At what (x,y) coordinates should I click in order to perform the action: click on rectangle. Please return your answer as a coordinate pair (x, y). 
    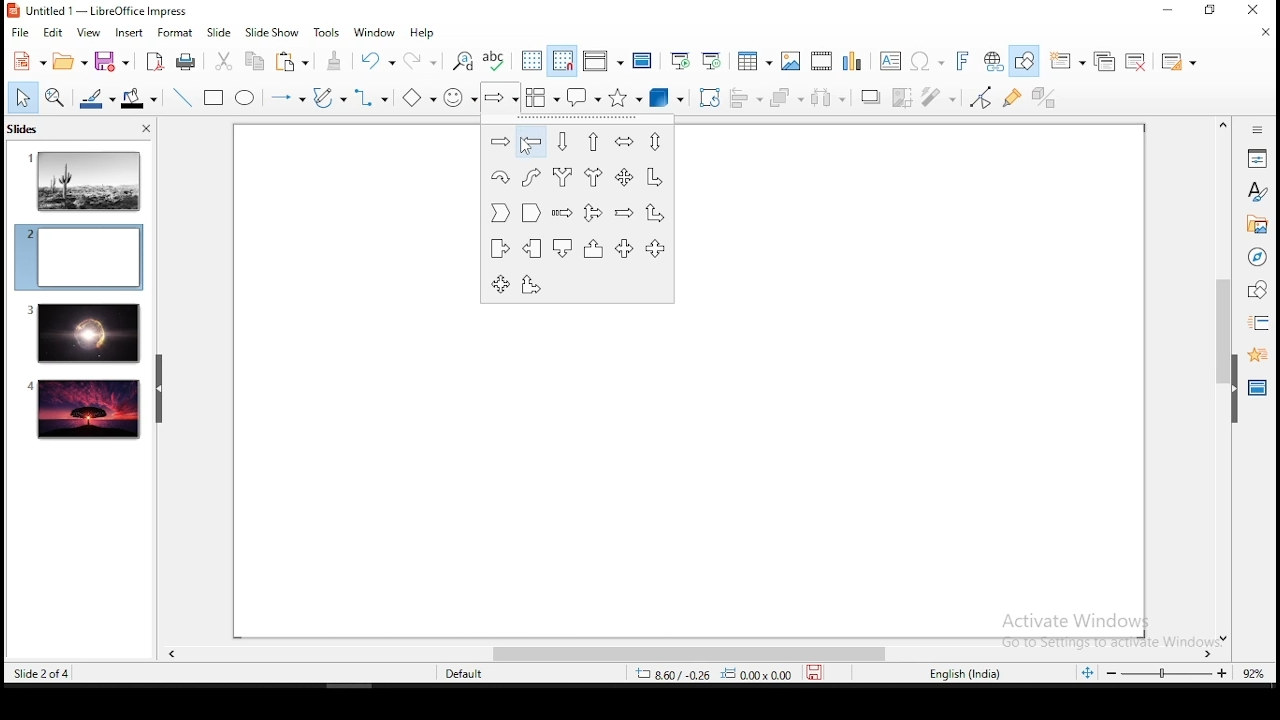
    Looking at the image, I should click on (215, 99).